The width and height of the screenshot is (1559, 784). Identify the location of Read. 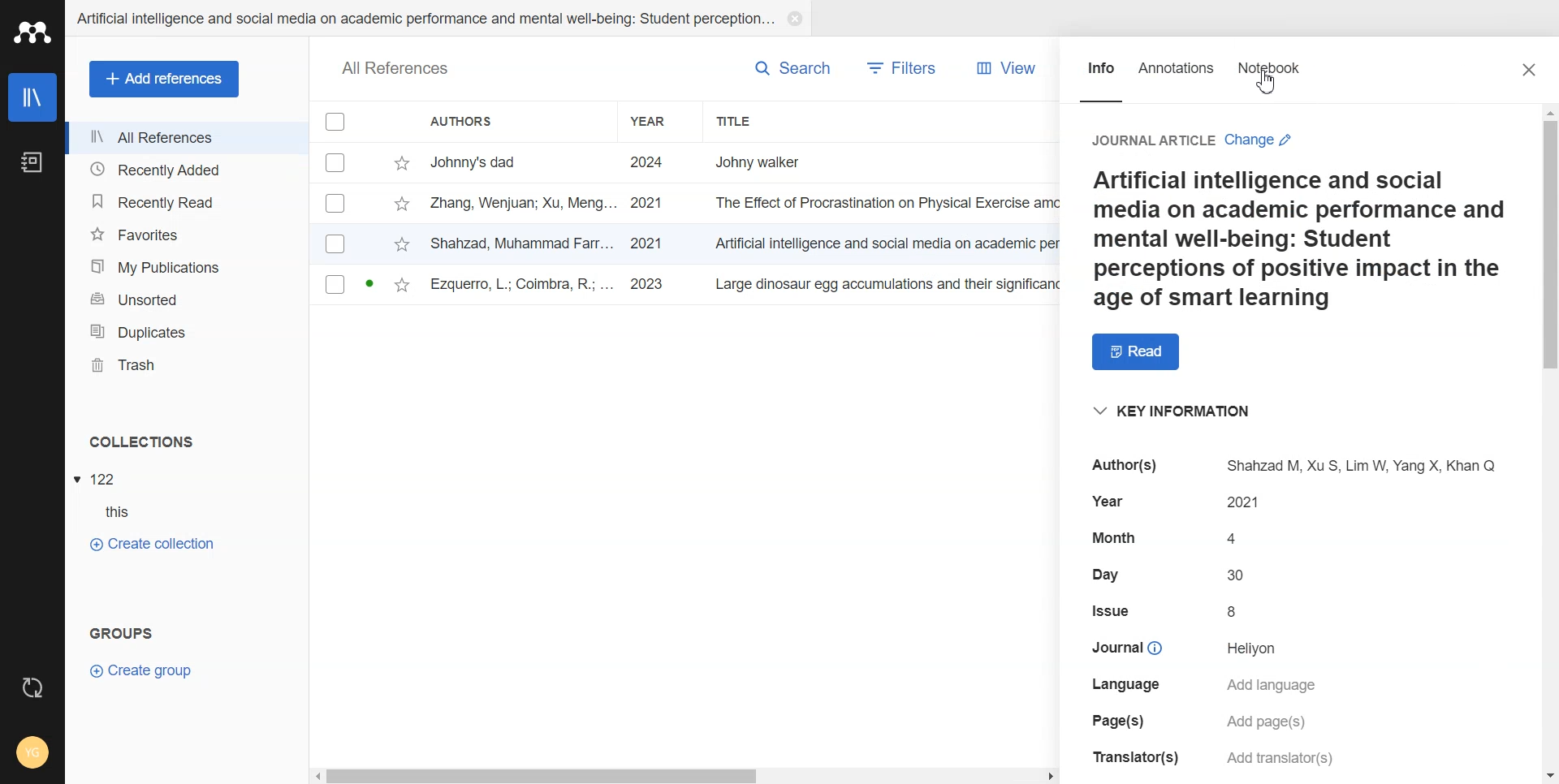
(1138, 352).